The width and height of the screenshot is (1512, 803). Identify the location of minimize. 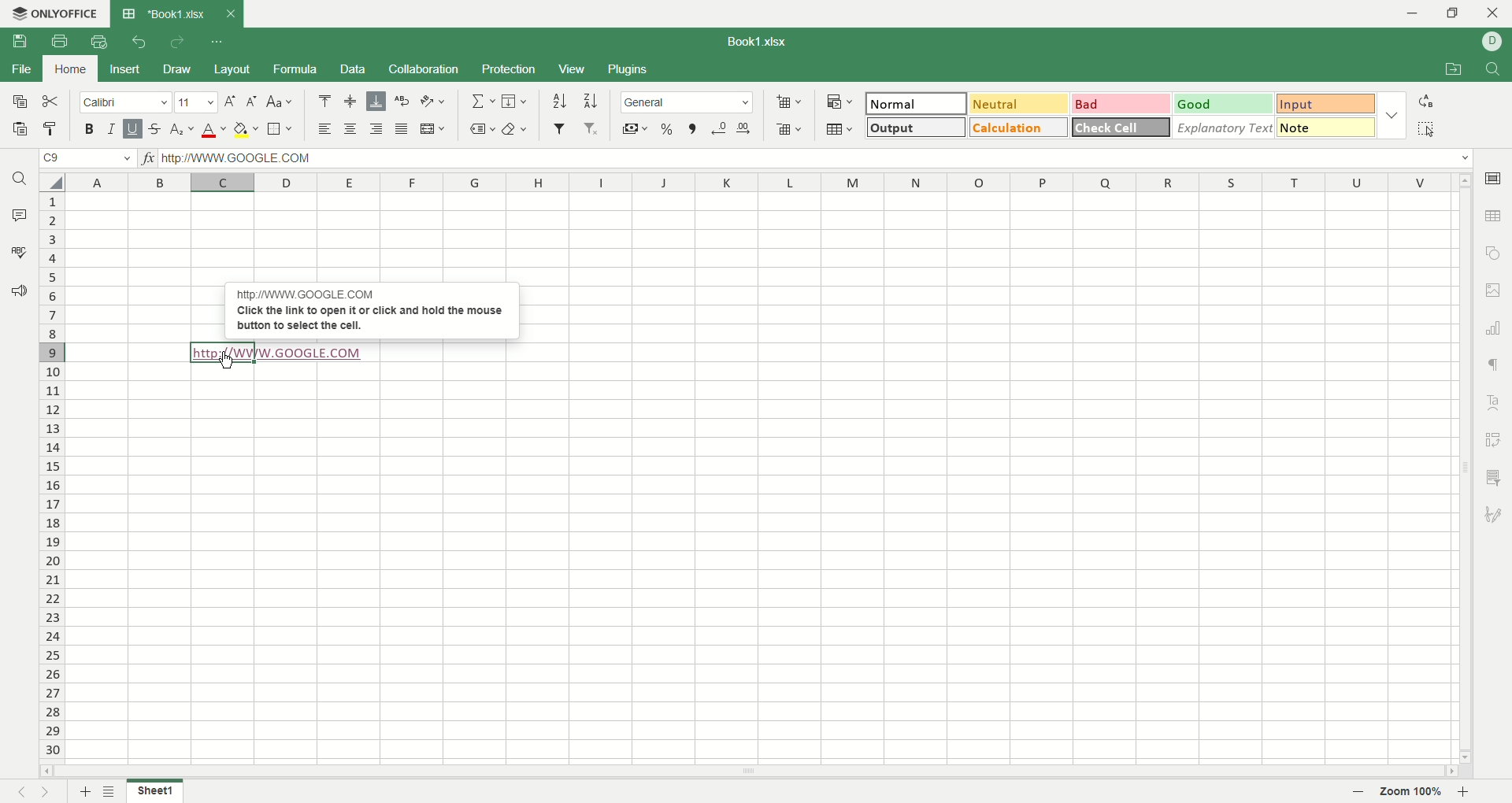
(1417, 15).